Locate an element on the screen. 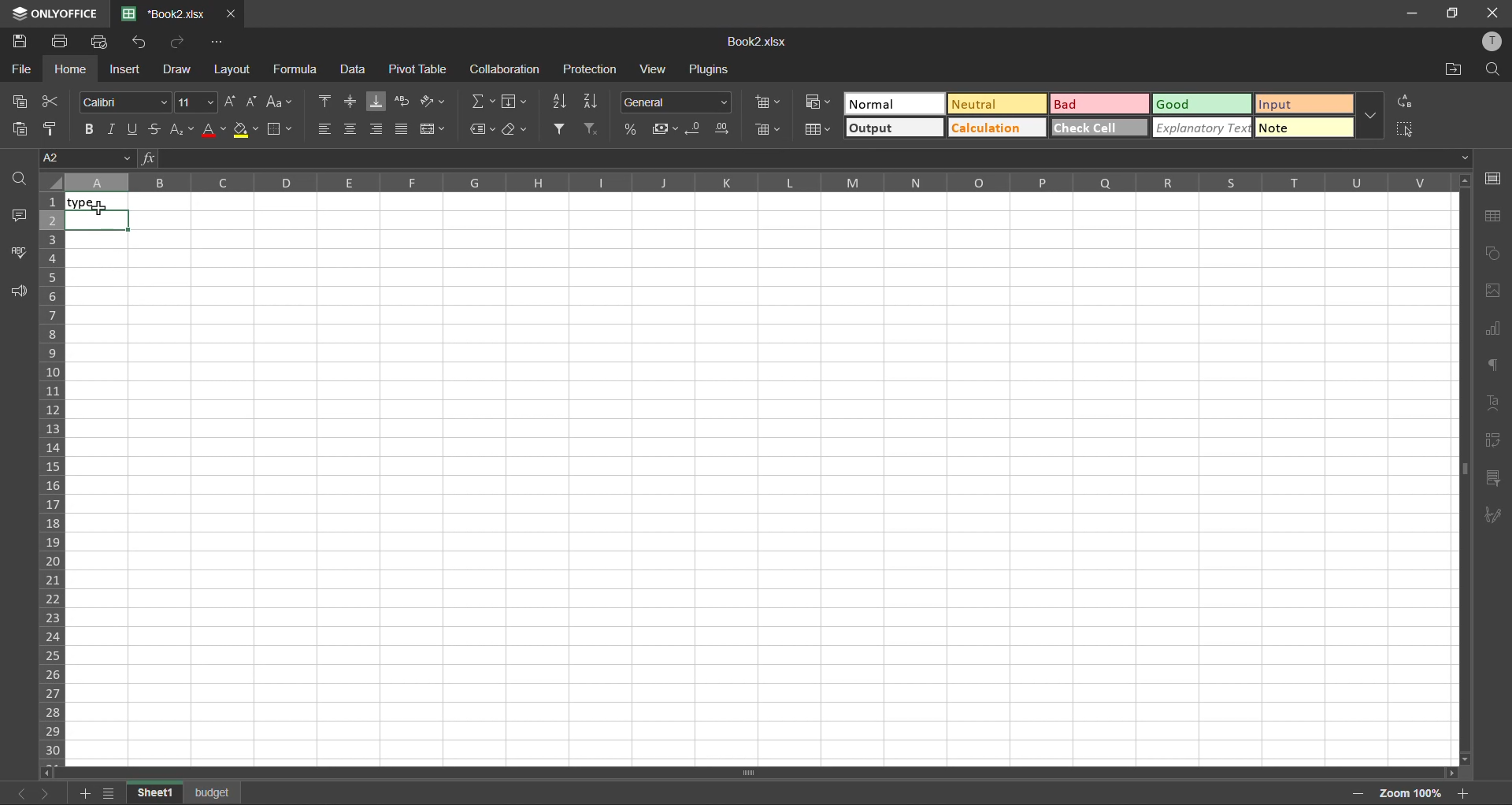  formula is located at coordinates (297, 69).